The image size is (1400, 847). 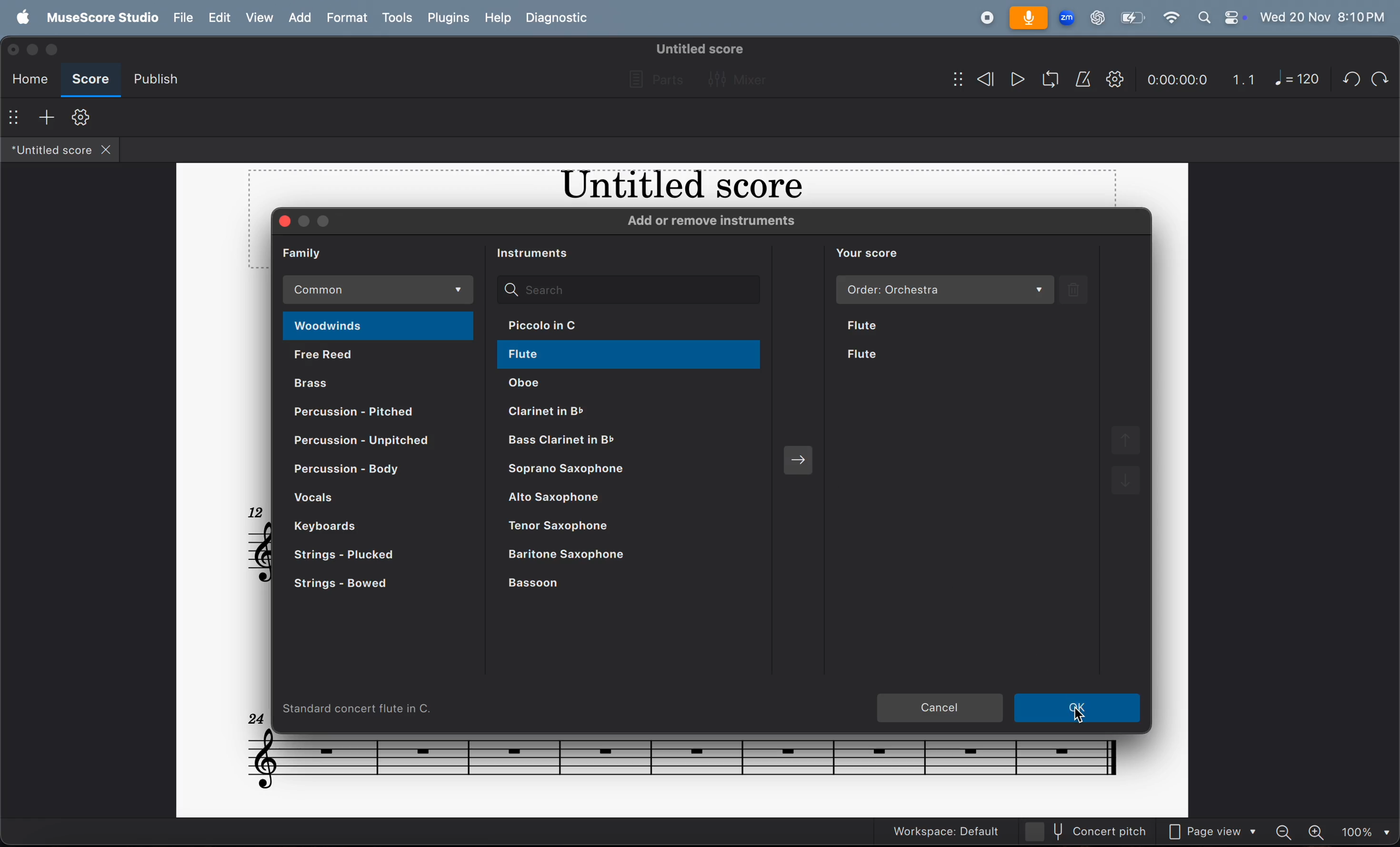 What do you see at coordinates (943, 290) in the screenshot?
I see `order orchestra` at bounding box center [943, 290].